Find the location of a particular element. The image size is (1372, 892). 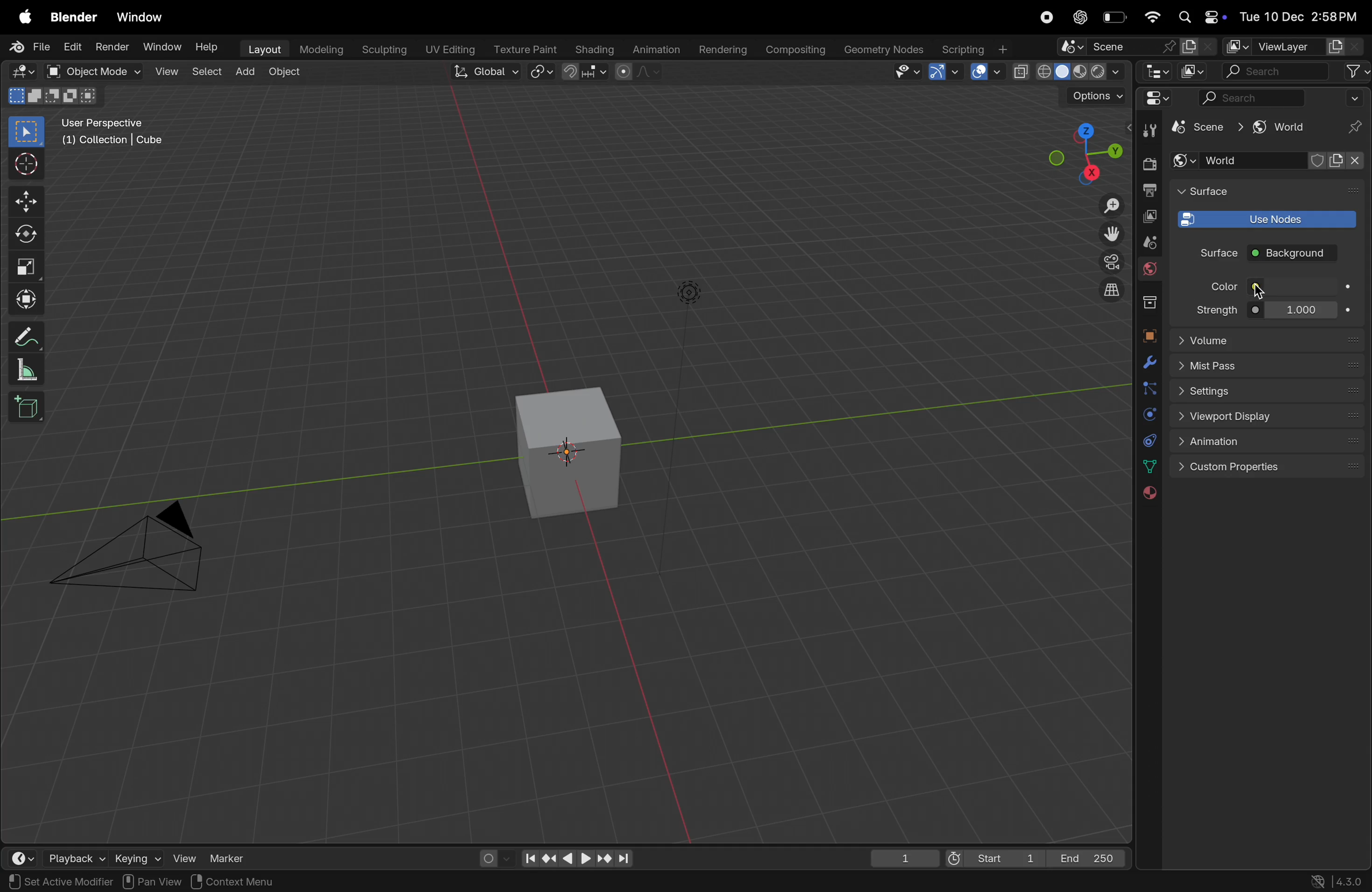

orthographic view is located at coordinates (1114, 291).